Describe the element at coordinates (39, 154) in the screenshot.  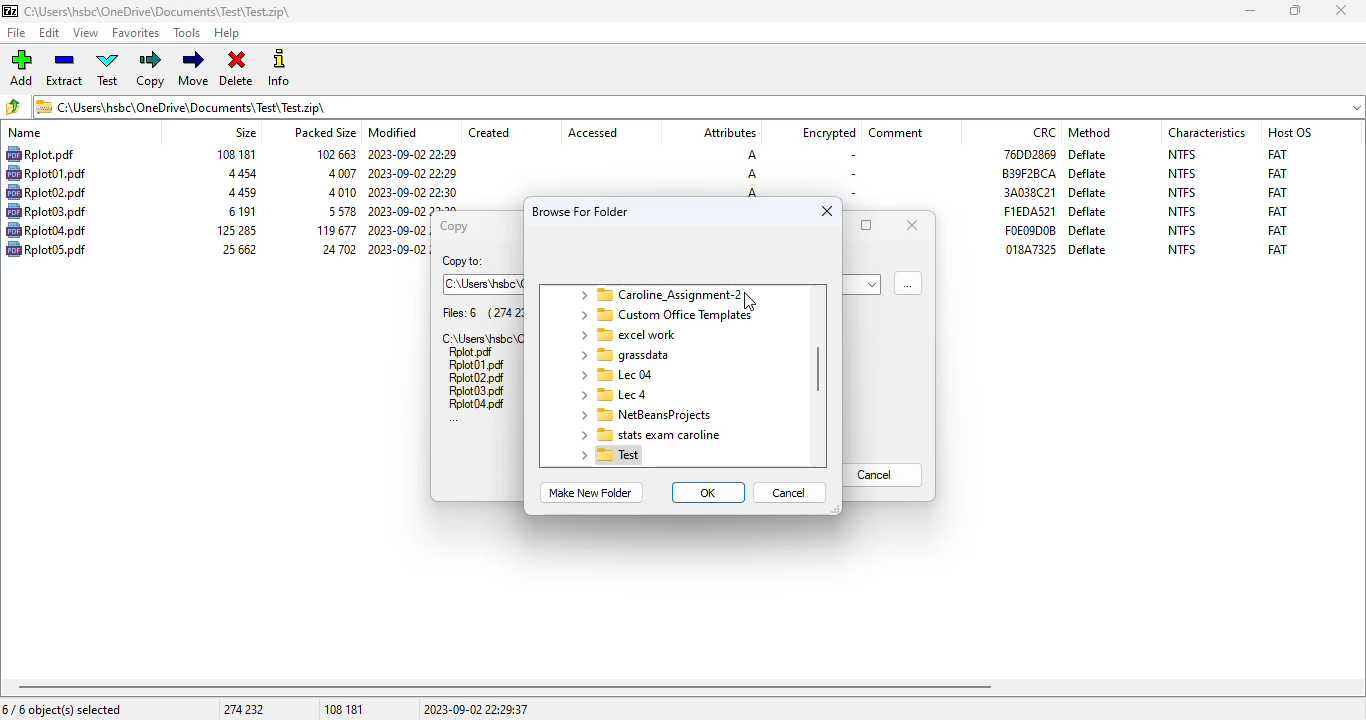
I see `file` at that location.